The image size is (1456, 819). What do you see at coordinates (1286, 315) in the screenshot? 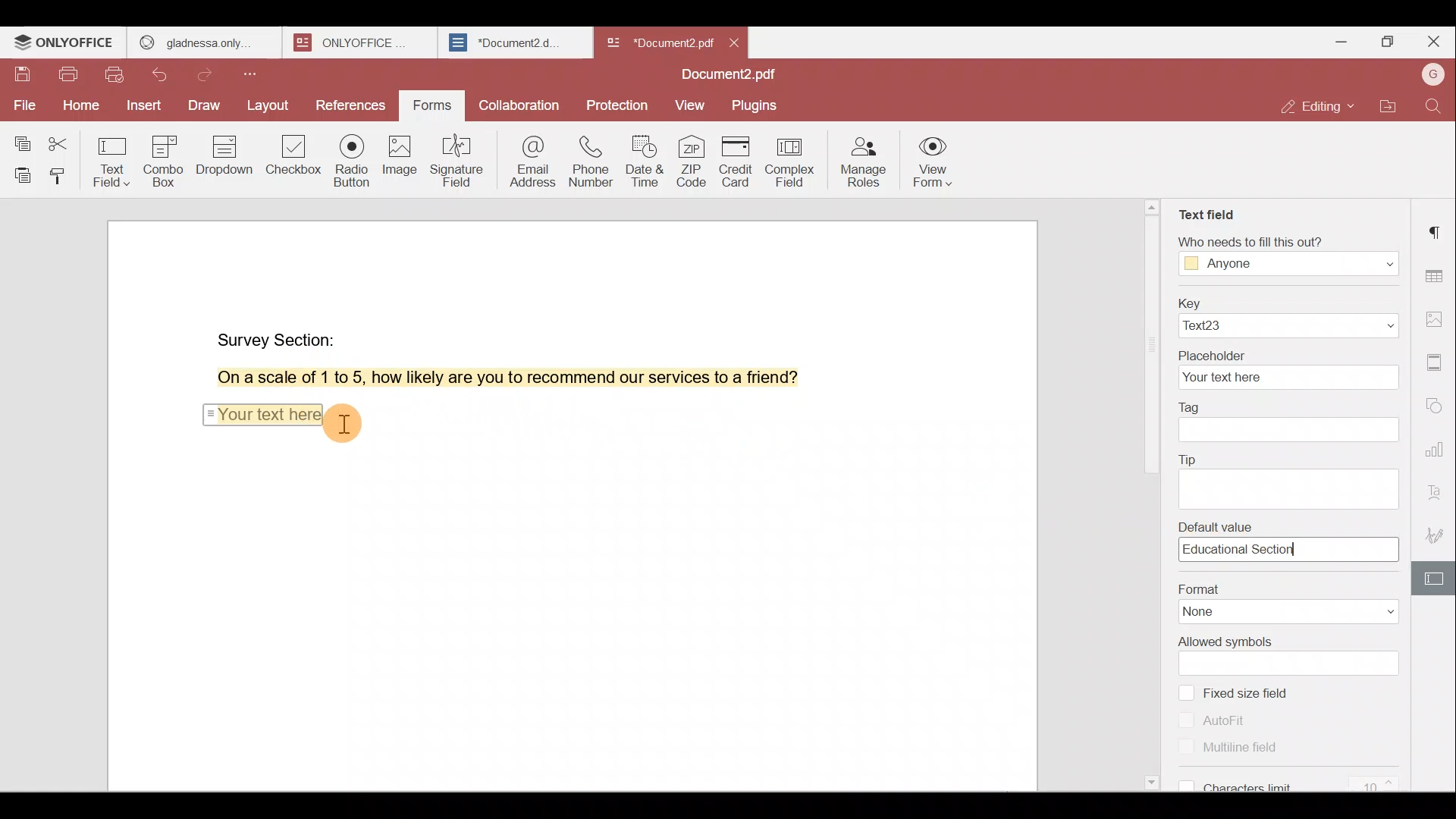
I see `Key` at bounding box center [1286, 315].